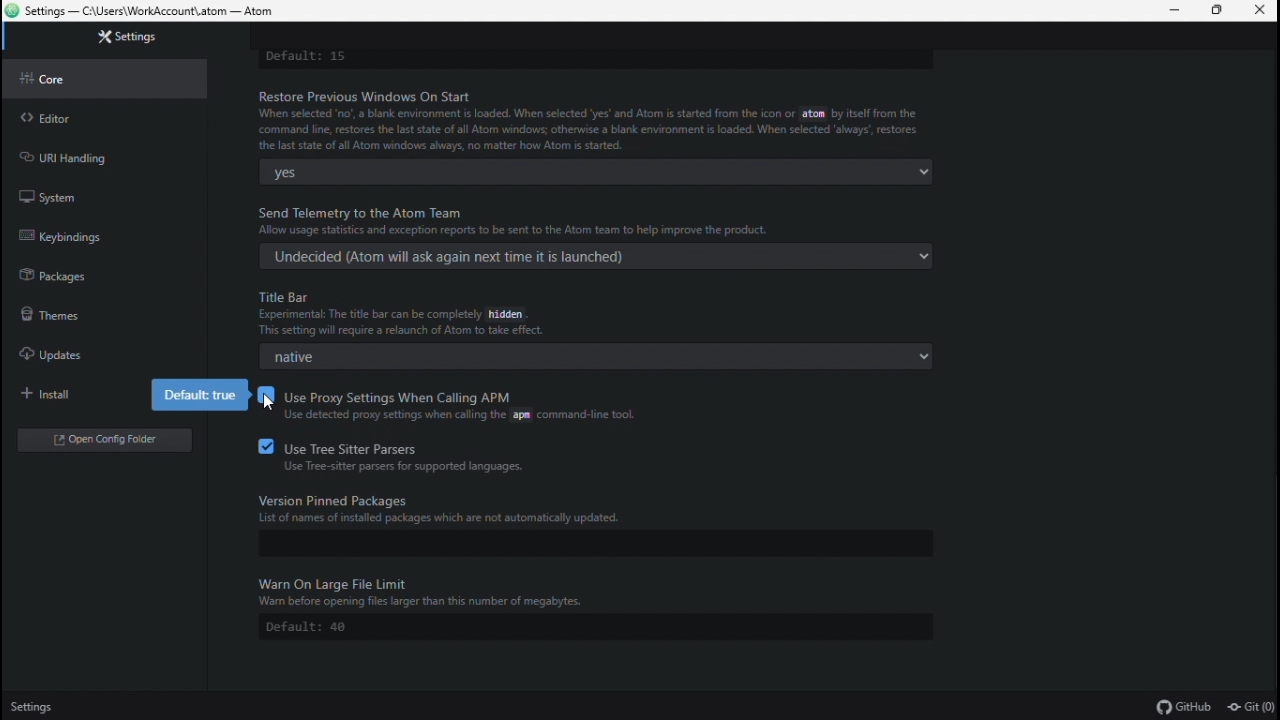  I want to click on packages, so click(86, 274).